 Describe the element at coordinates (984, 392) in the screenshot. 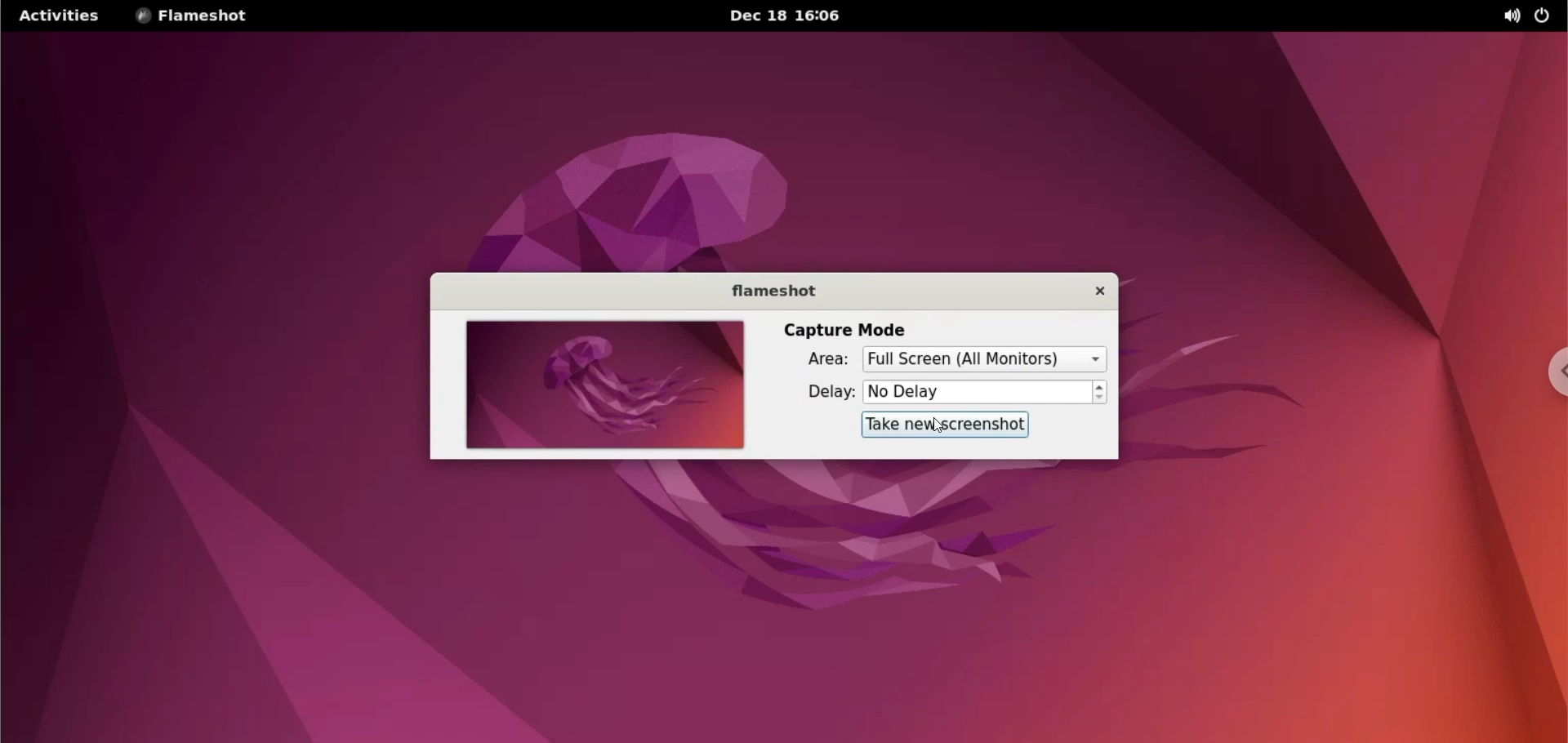

I see `delay options` at that location.